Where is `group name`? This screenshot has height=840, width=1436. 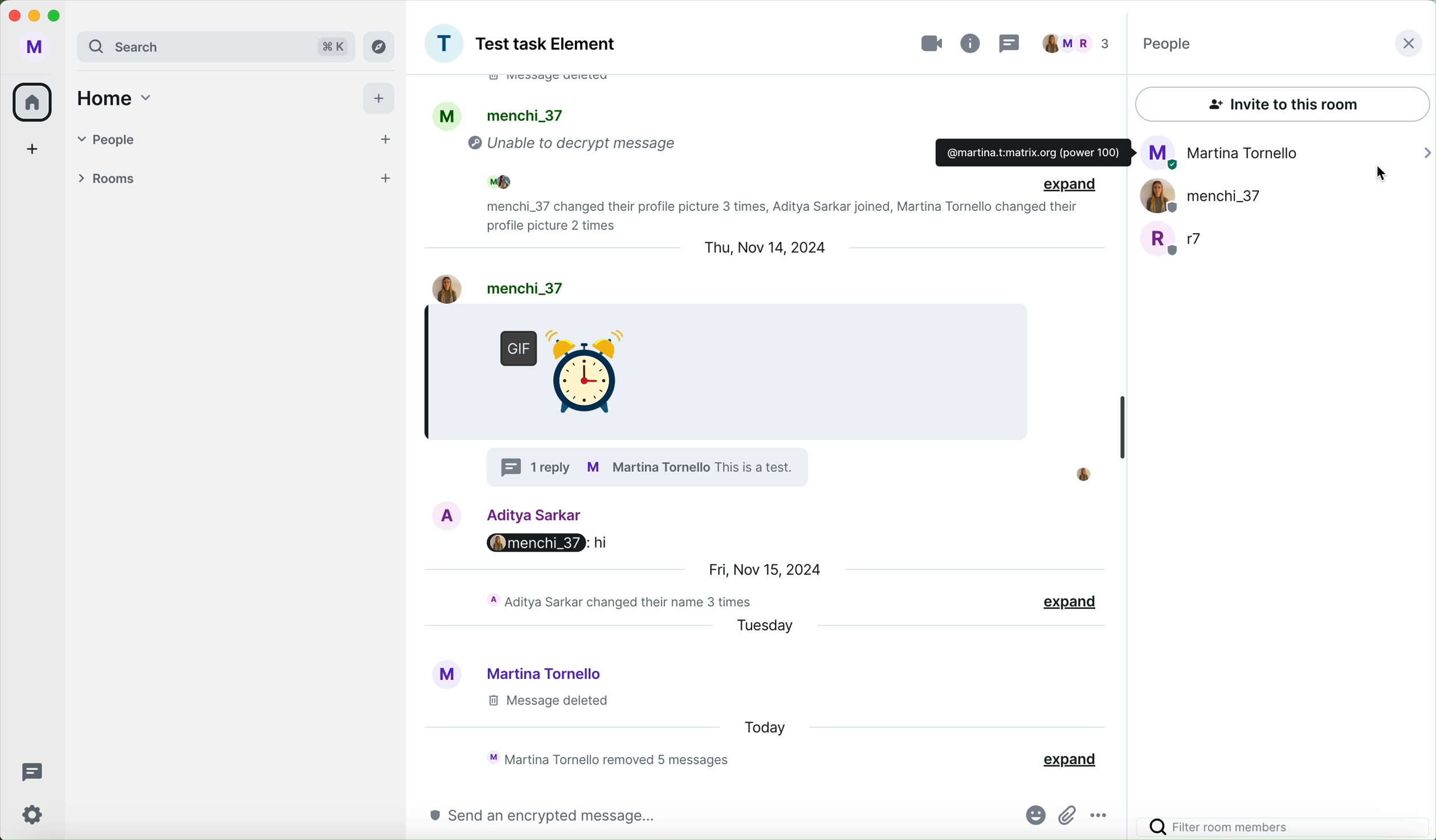 group name is located at coordinates (548, 46).